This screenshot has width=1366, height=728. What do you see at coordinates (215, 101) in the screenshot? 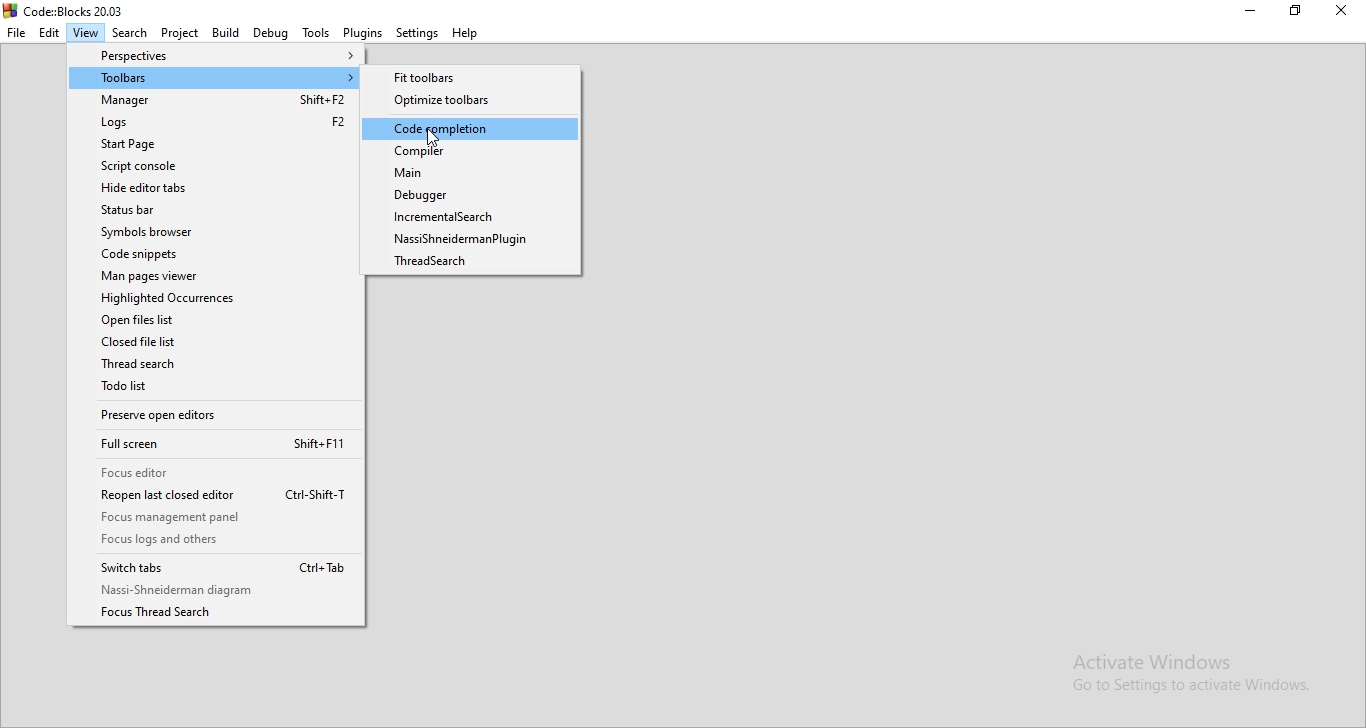
I see `Manager` at bounding box center [215, 101].